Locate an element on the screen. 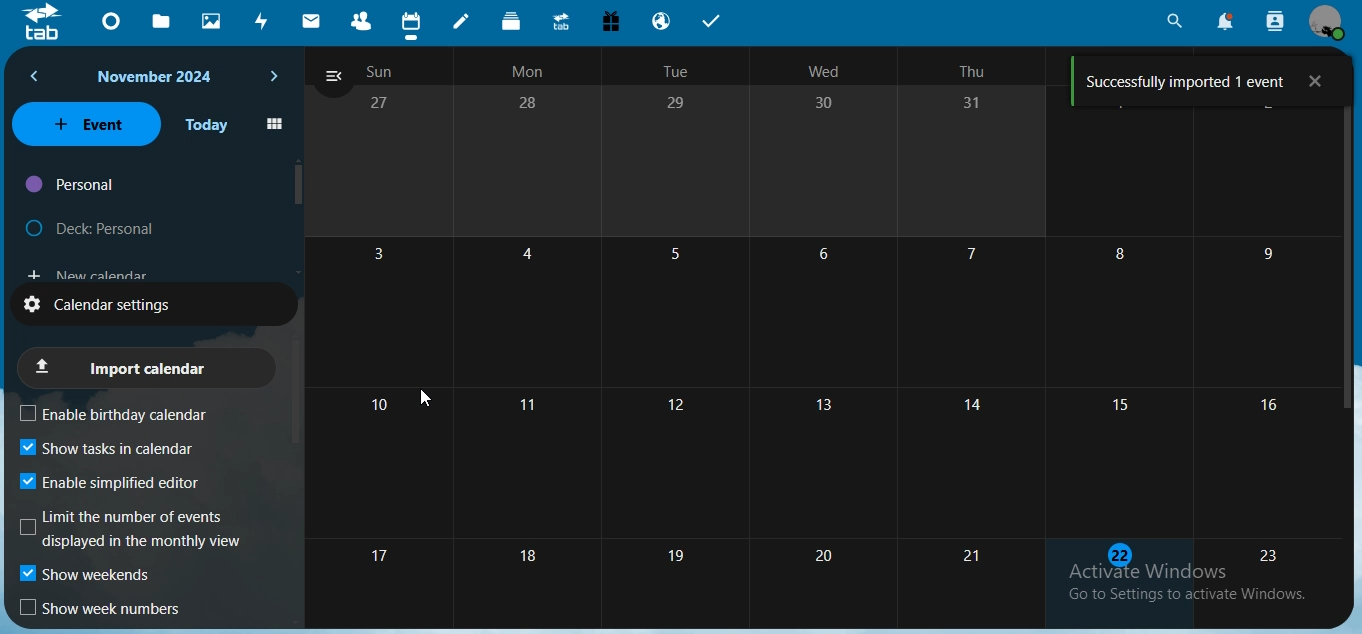  deck personal is located at coordinates (94, 224).